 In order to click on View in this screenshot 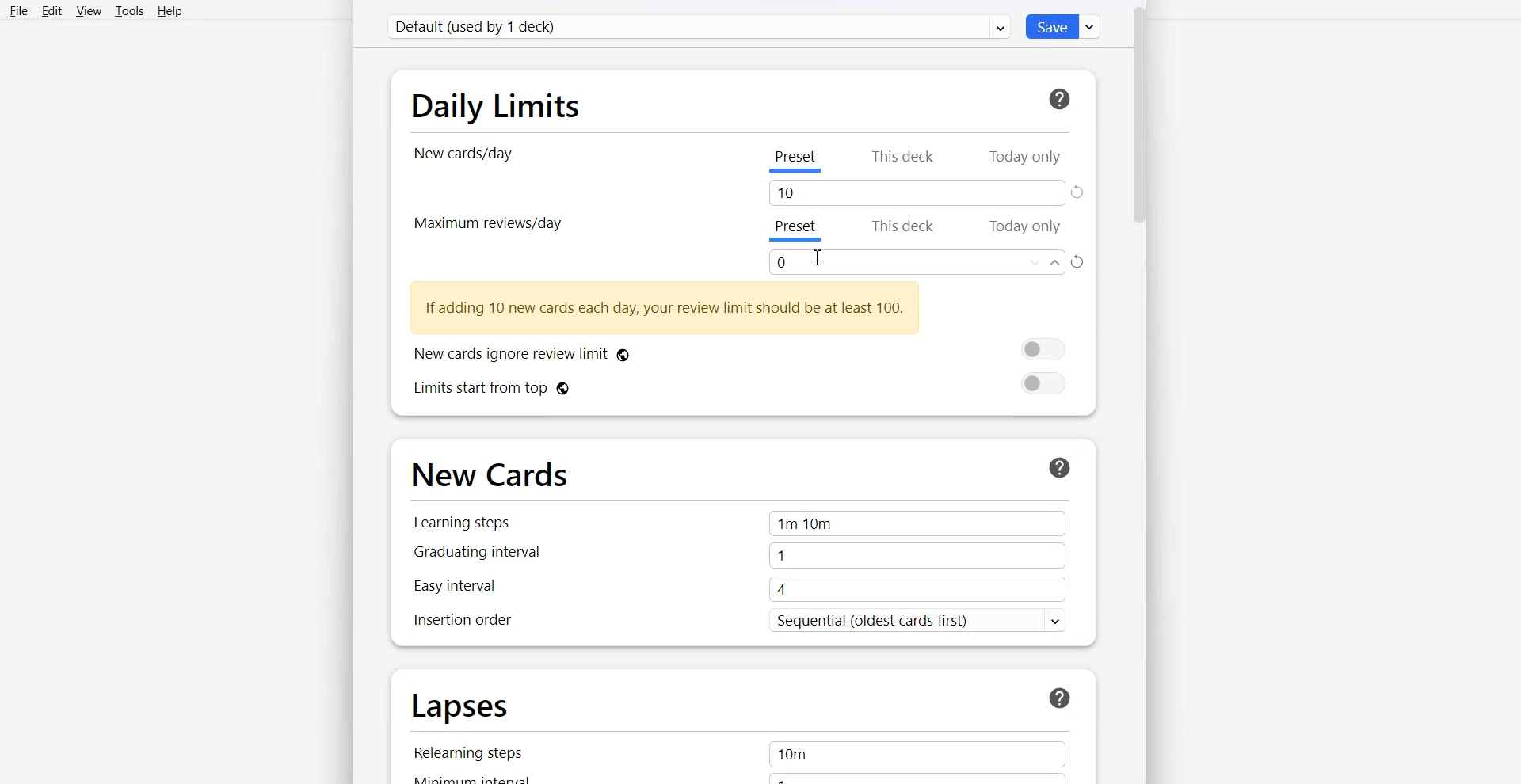, I will do `click(88, 11)`.